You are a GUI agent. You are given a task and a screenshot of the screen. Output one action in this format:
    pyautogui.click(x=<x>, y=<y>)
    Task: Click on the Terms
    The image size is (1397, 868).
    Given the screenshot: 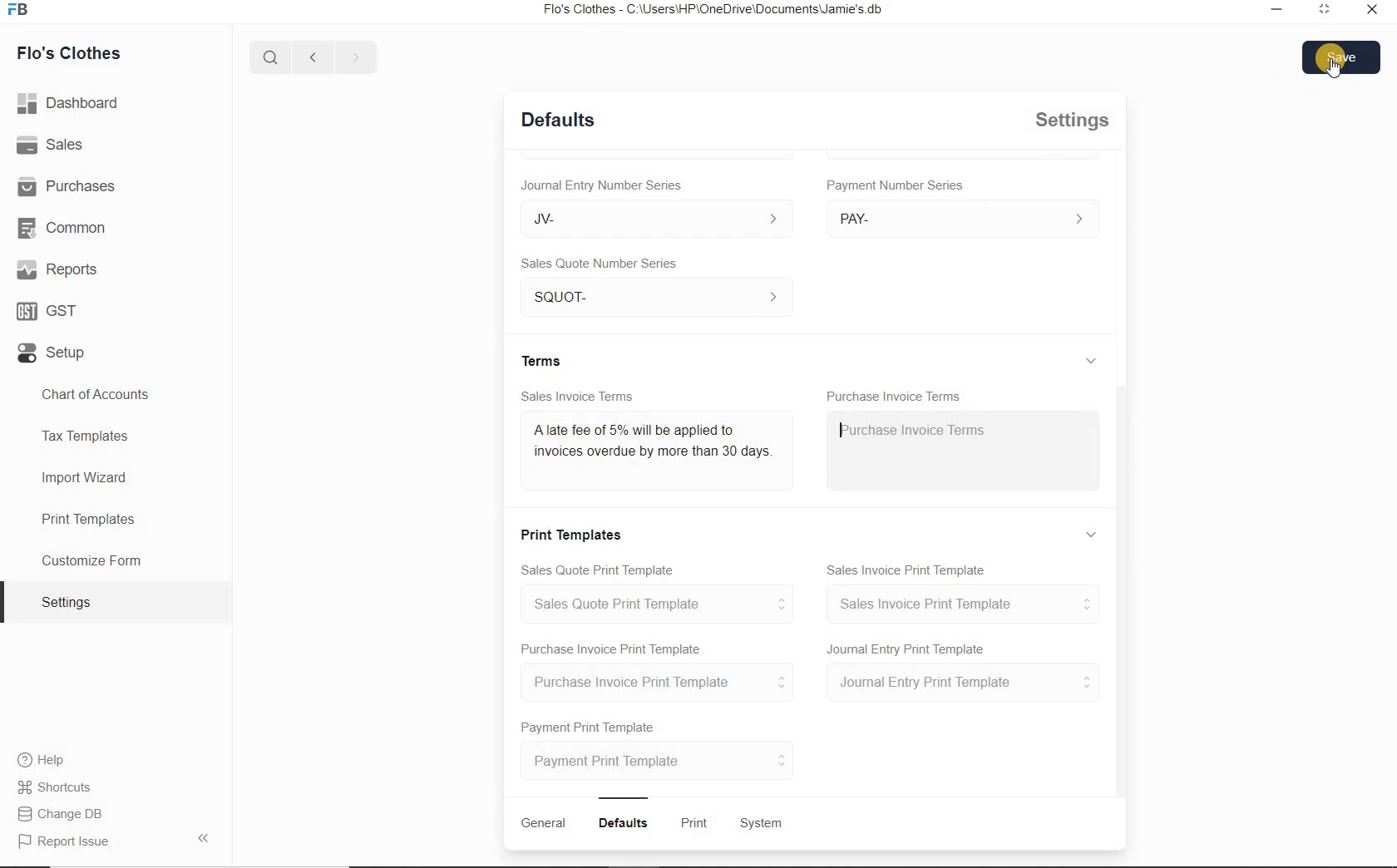 What is the action you would take?
    pyautogui.click(x=545, y=359)
    